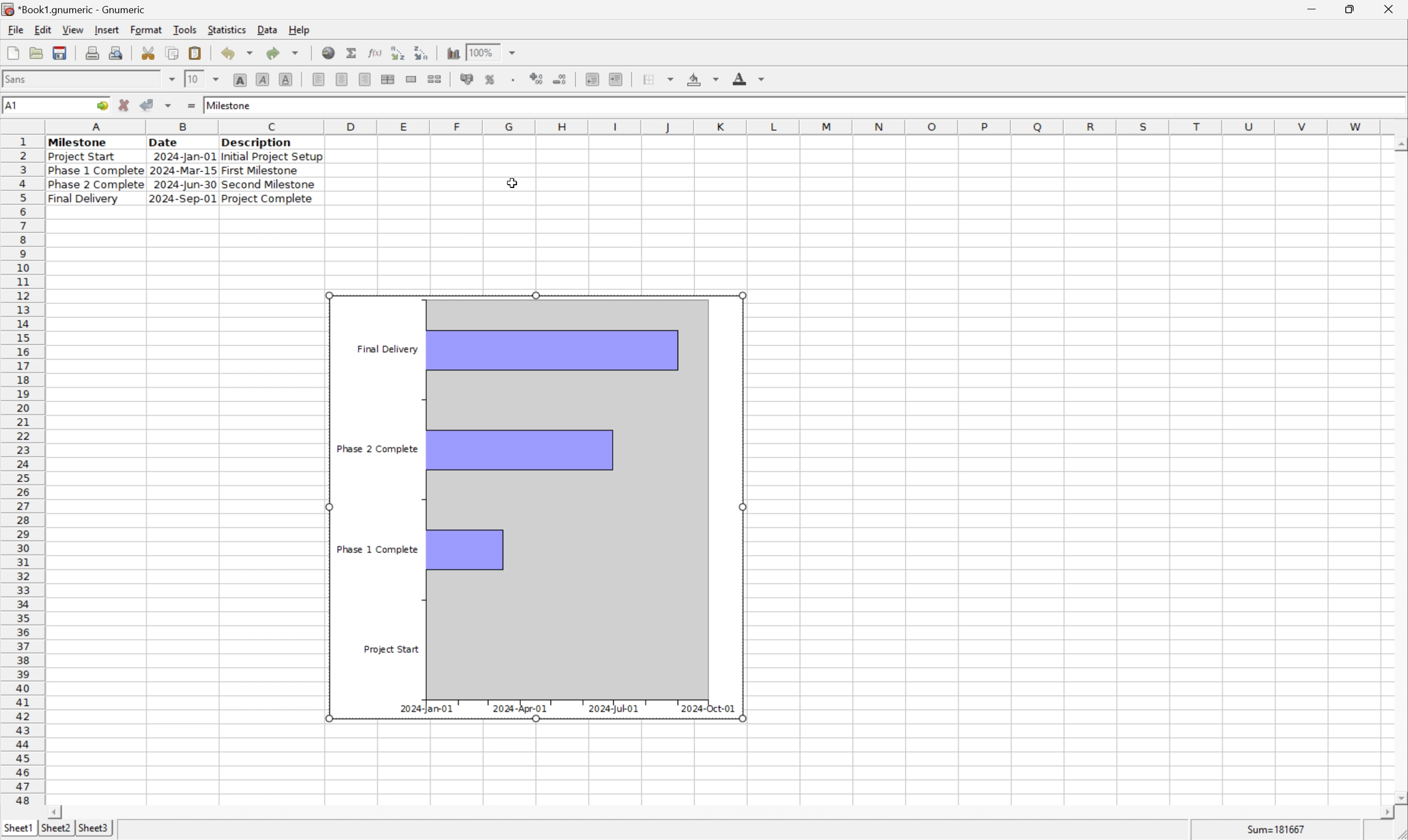 The width and height of the screenshot is (1408, 840). What do you see at coordinates (15, 30) in the screenshot?
I see `file` at bounding box center [15, 30].